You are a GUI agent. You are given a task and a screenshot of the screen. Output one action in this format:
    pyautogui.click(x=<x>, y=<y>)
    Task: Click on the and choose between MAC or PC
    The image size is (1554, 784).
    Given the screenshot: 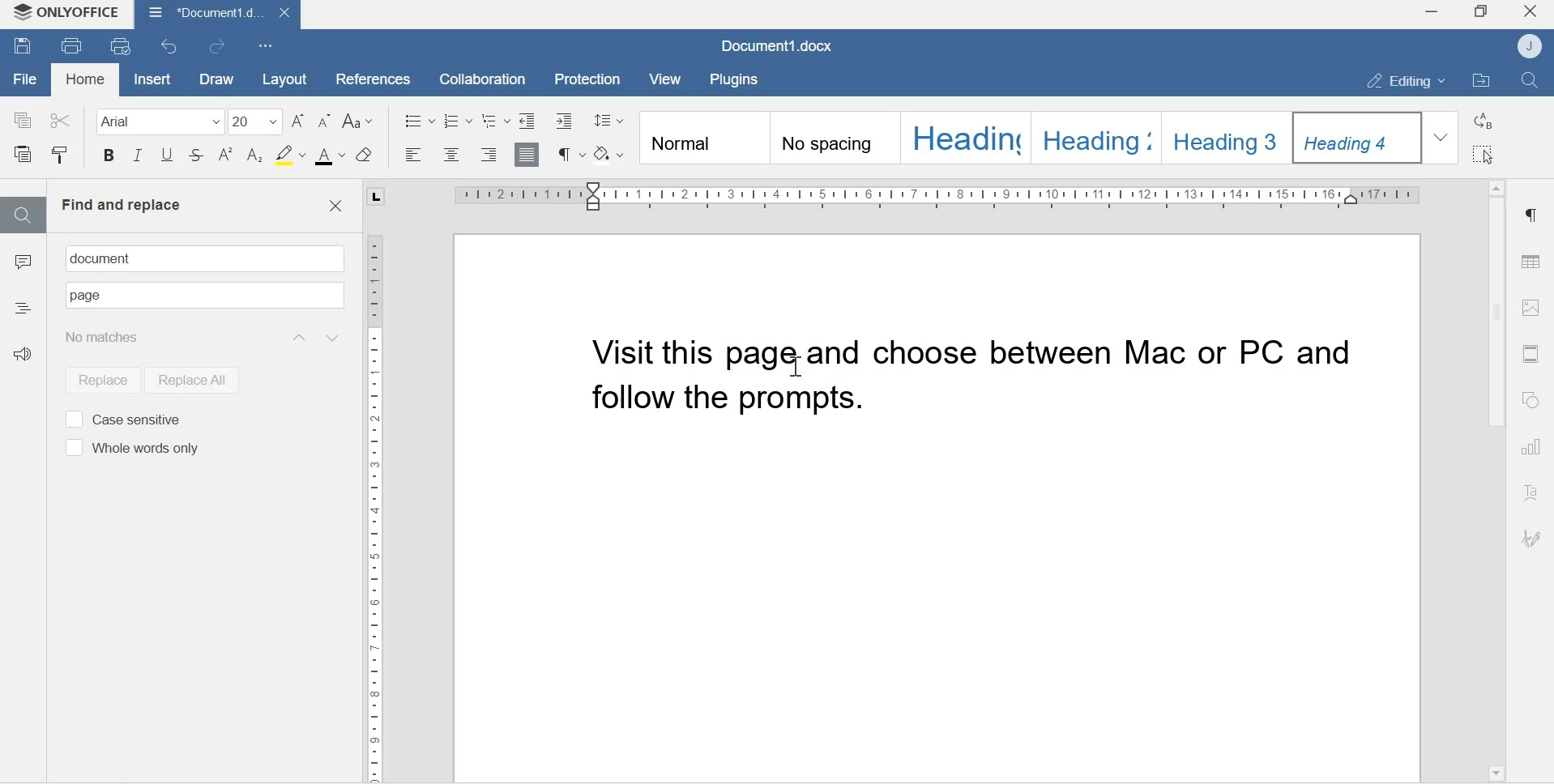 What is the action you would take?
    pyautogui.click(x=1092, y=355)
    